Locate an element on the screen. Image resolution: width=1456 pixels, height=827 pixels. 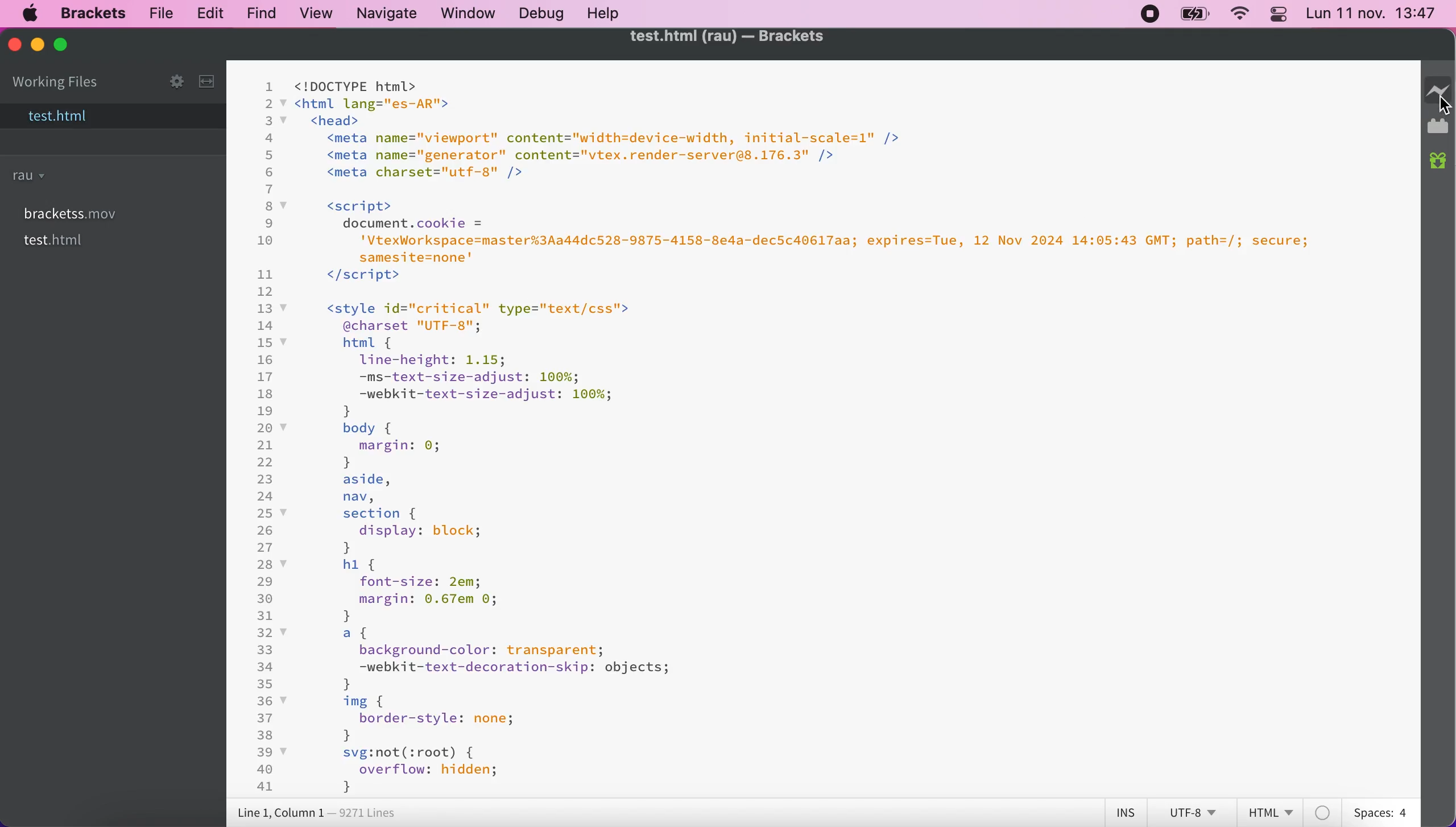
file is located at coordinates (158, 13).